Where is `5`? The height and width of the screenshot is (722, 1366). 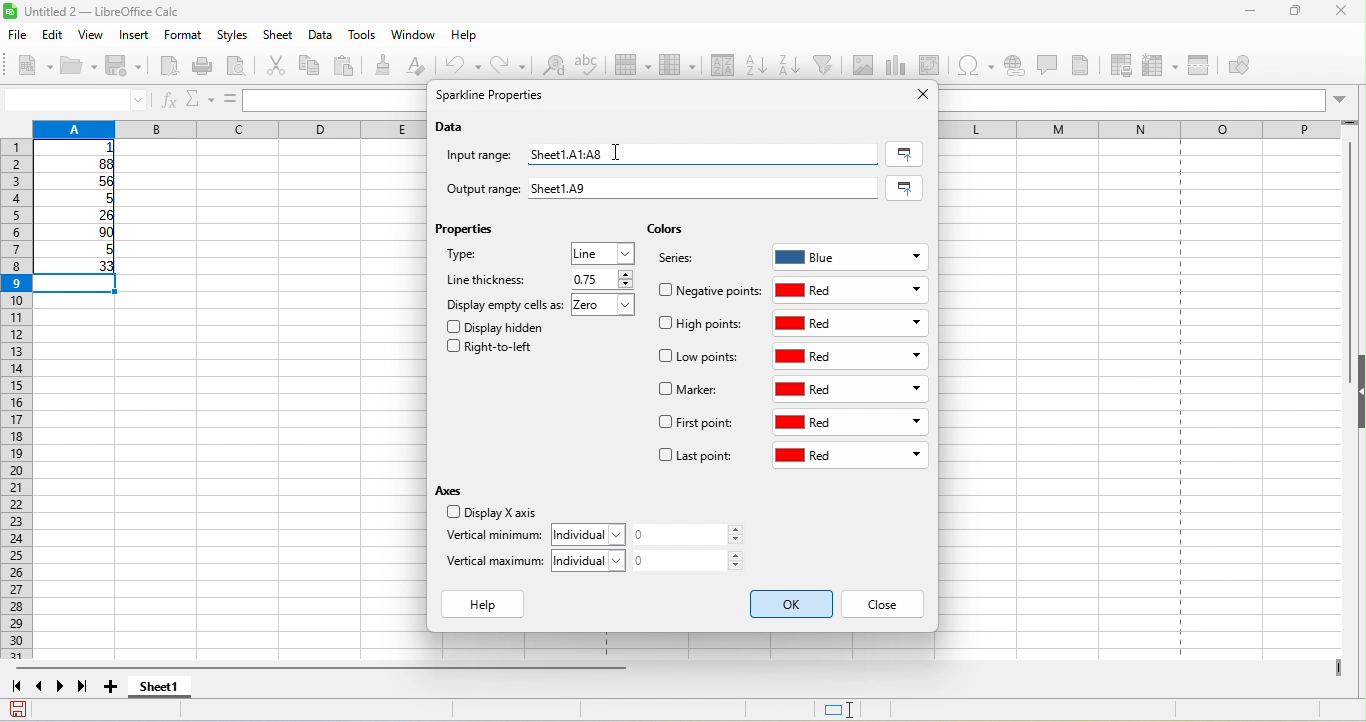 5 is located at coordinates (76, 252).